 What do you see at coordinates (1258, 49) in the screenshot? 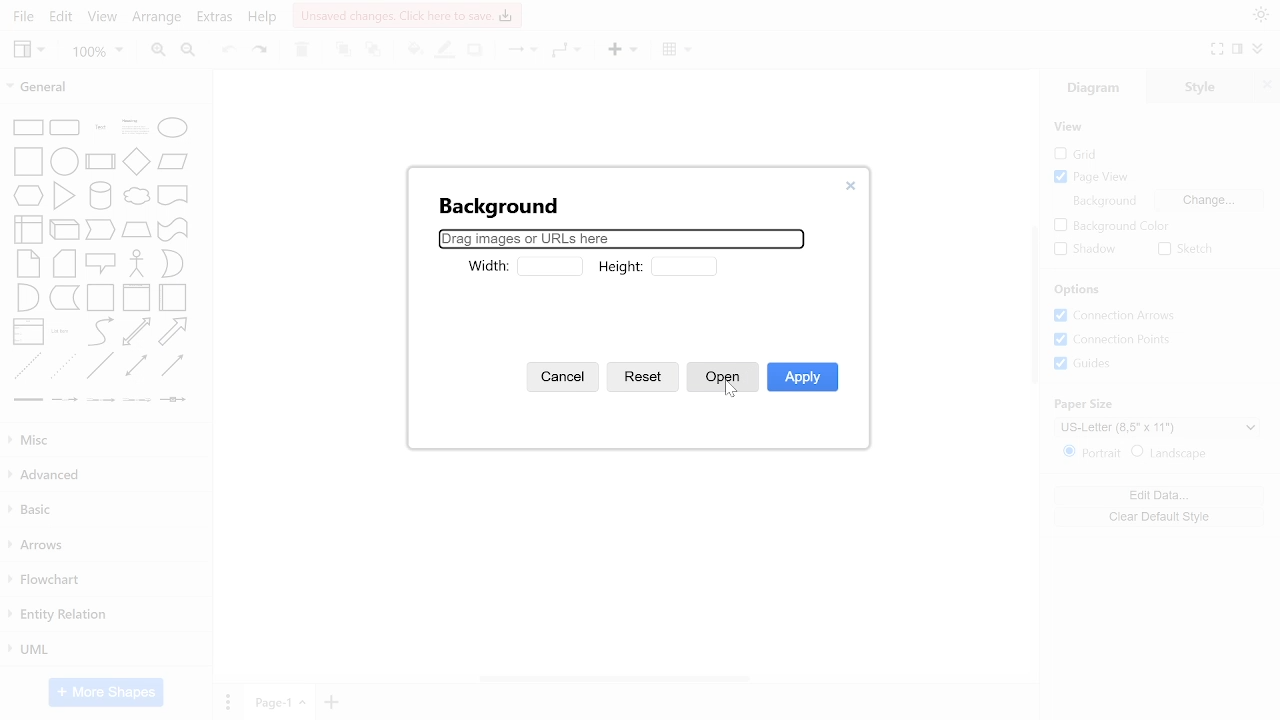
I see `collapse` at bounding box center [1258, 49].